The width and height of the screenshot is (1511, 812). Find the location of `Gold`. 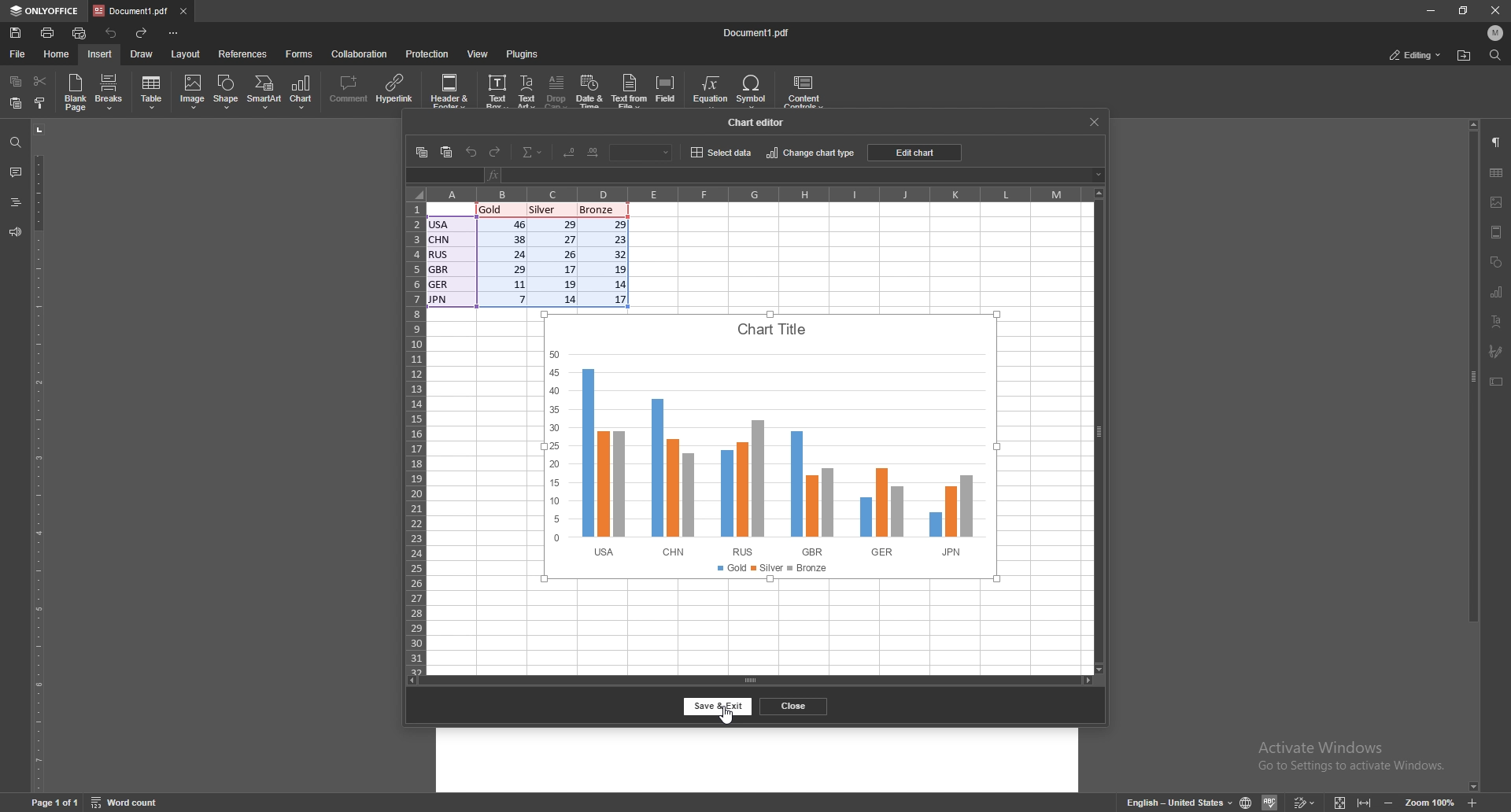

Gold is located at coordinates (501, 209).